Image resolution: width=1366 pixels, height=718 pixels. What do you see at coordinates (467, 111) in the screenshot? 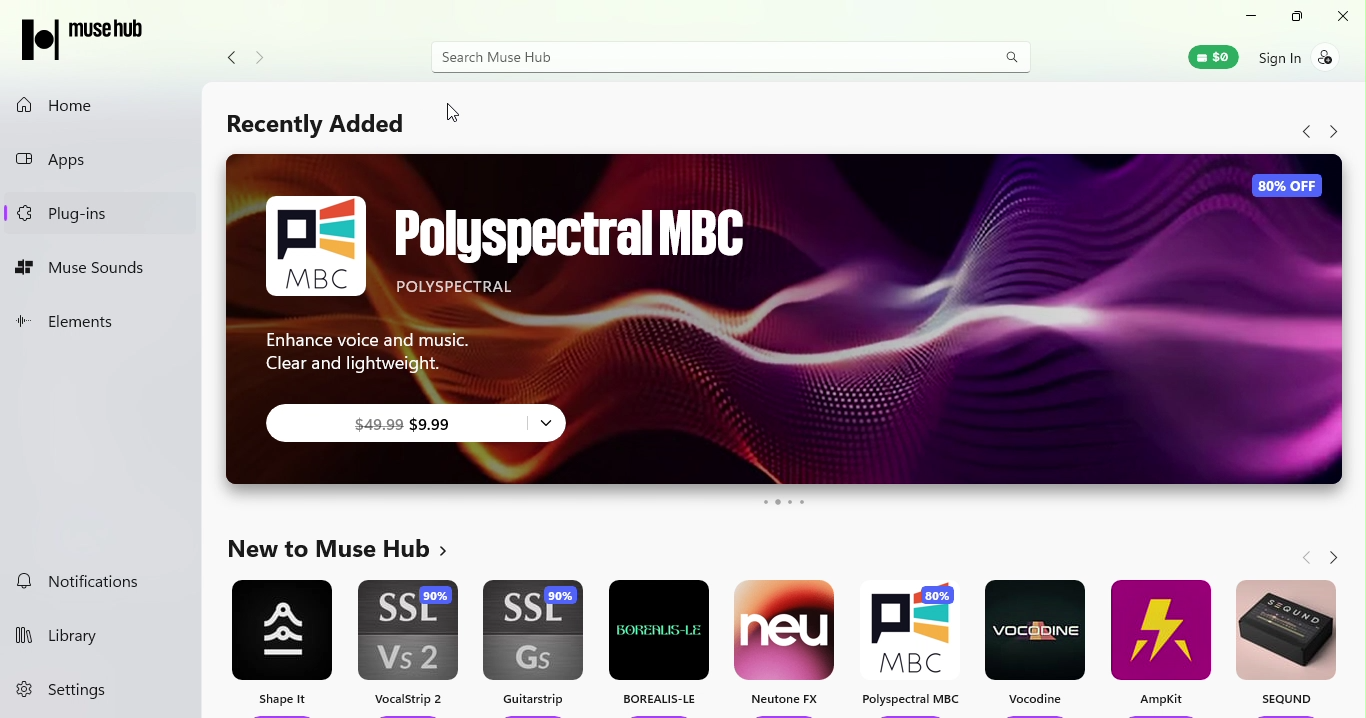
I see `Cursor` at bounding box center [467, 111].